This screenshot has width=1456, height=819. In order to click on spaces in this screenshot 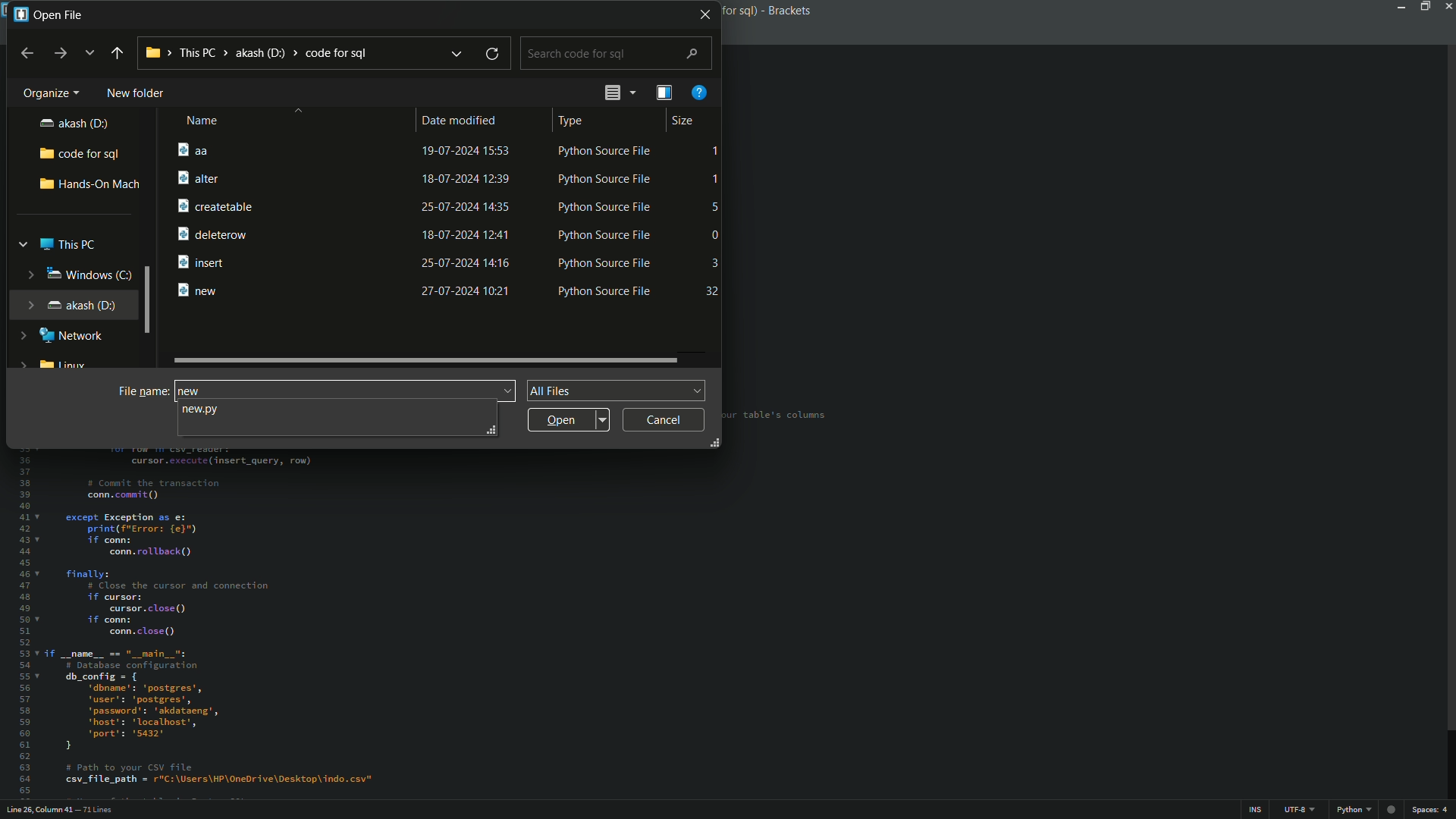, I will do `click(1432, 812)`.